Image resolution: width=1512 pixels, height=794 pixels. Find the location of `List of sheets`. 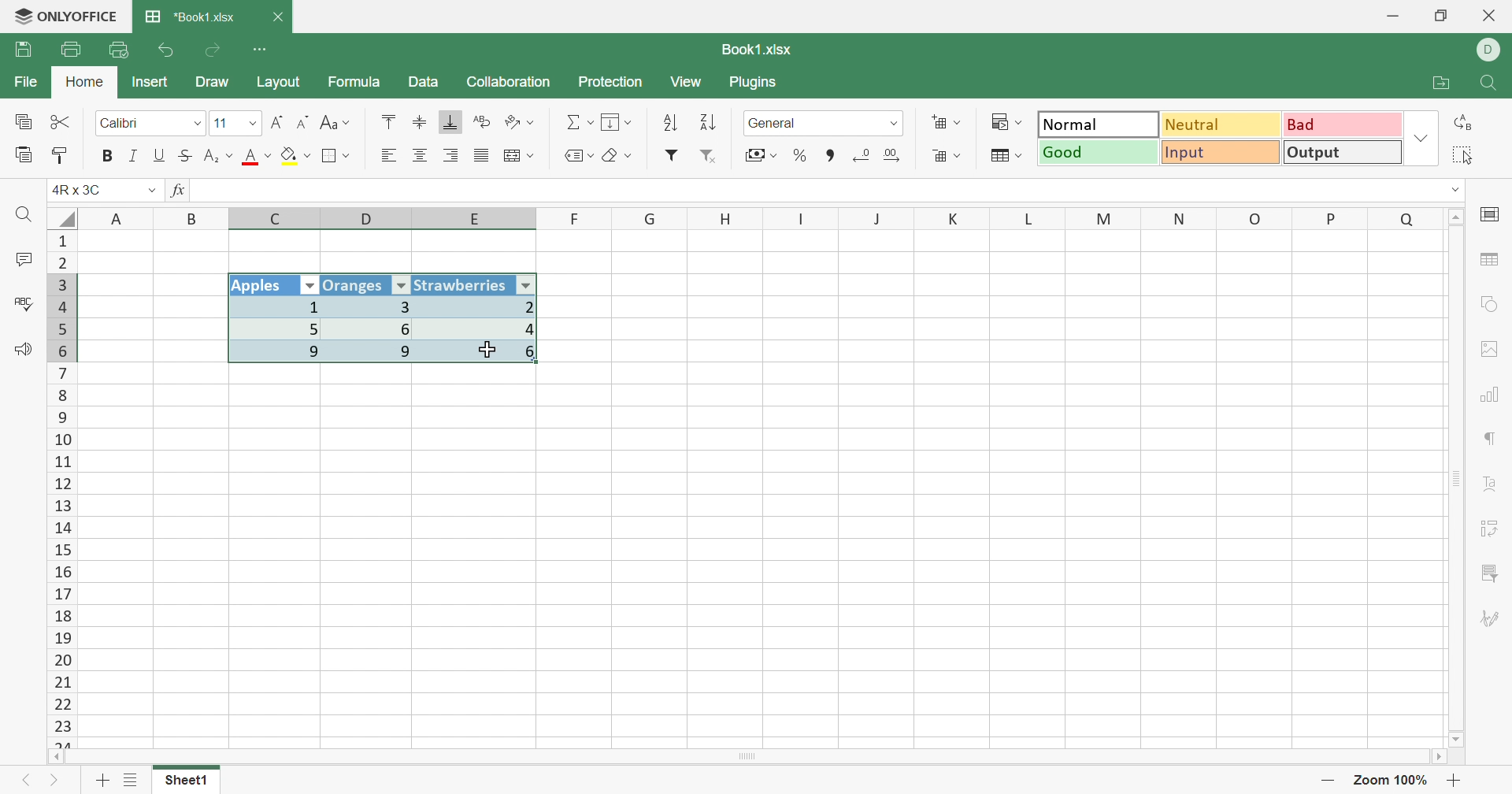

List of sheets is located at coordinates (130, 781).